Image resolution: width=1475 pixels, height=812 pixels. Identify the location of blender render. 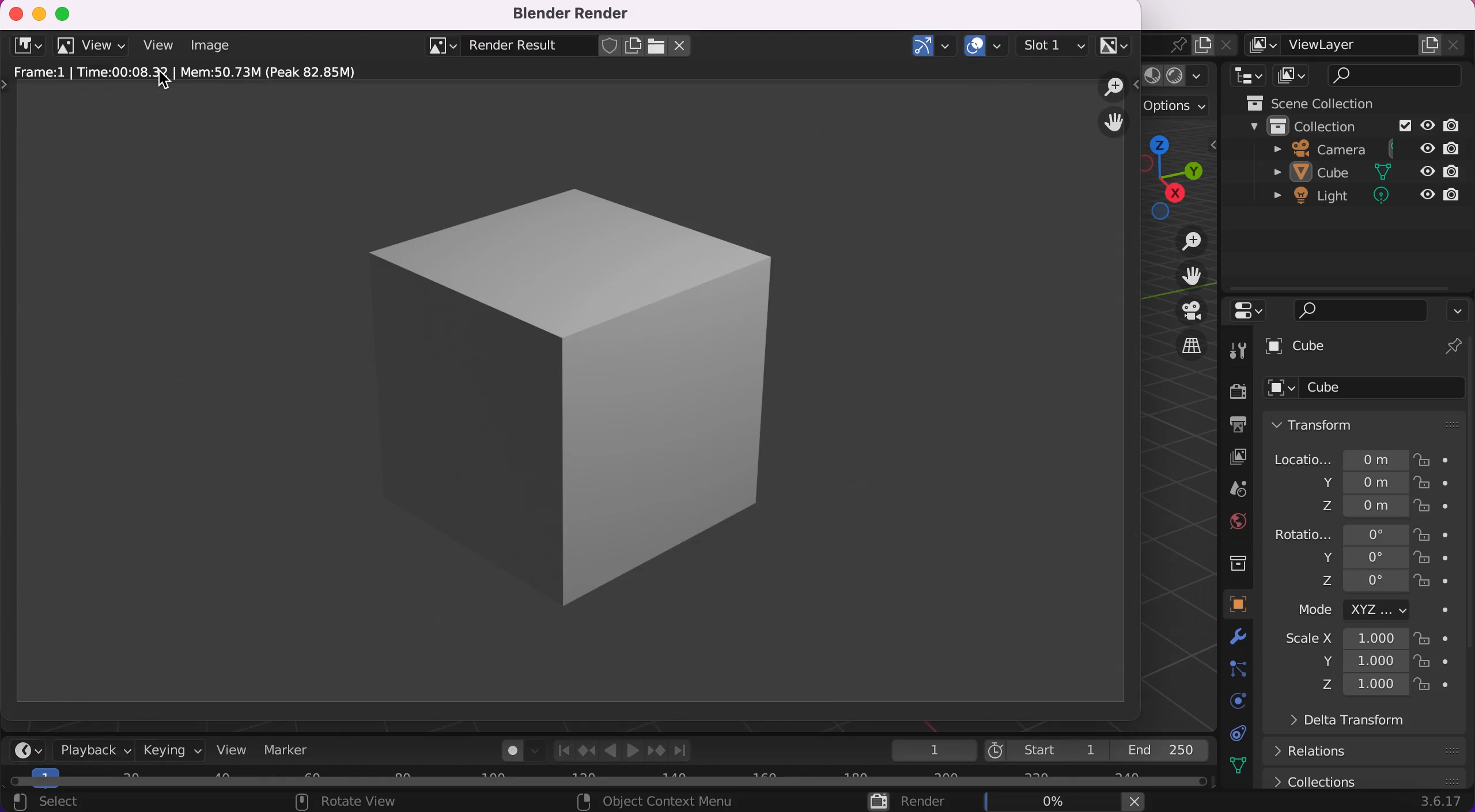
(572, 12).